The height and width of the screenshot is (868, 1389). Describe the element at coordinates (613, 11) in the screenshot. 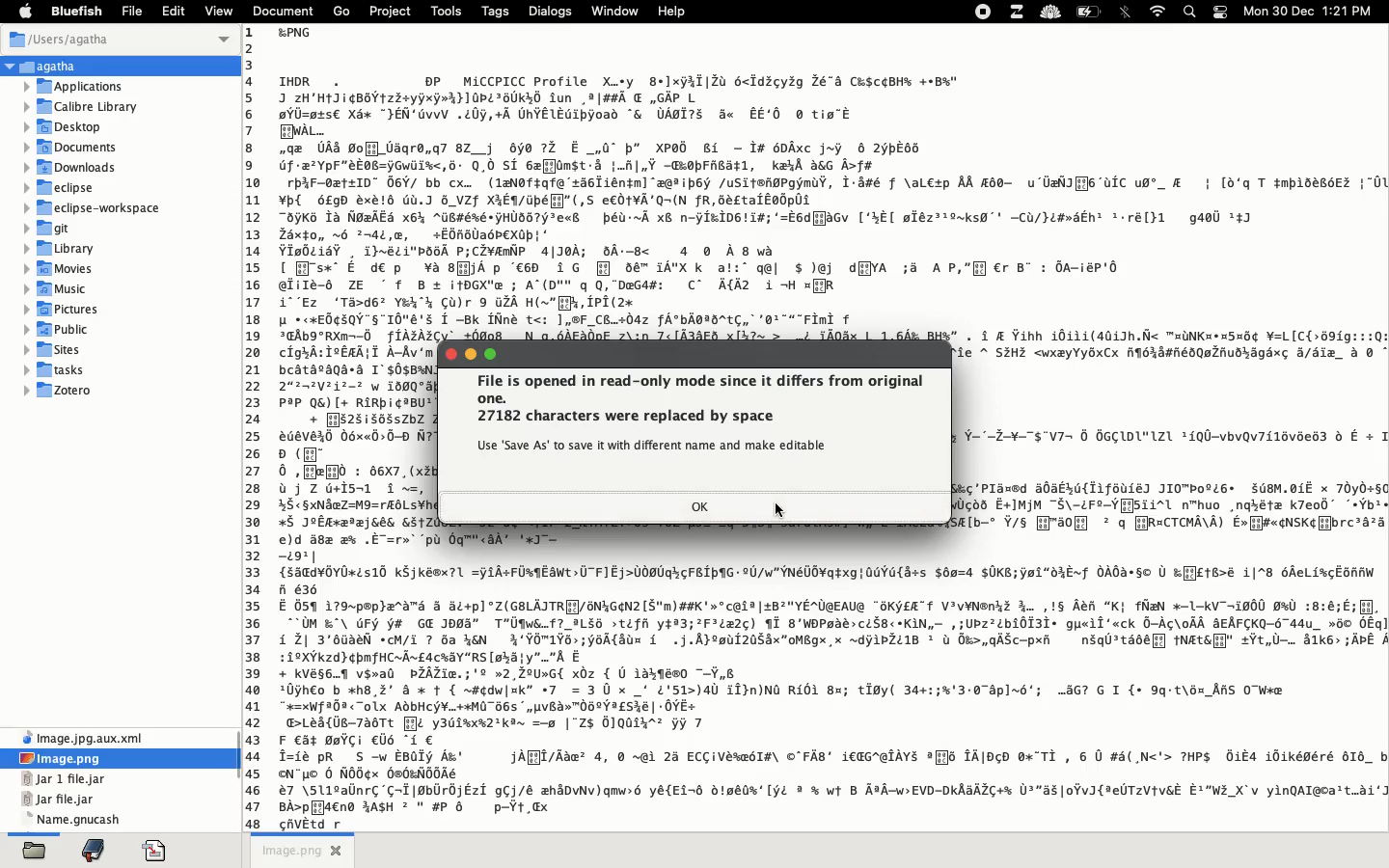

I see `window ` at that location.